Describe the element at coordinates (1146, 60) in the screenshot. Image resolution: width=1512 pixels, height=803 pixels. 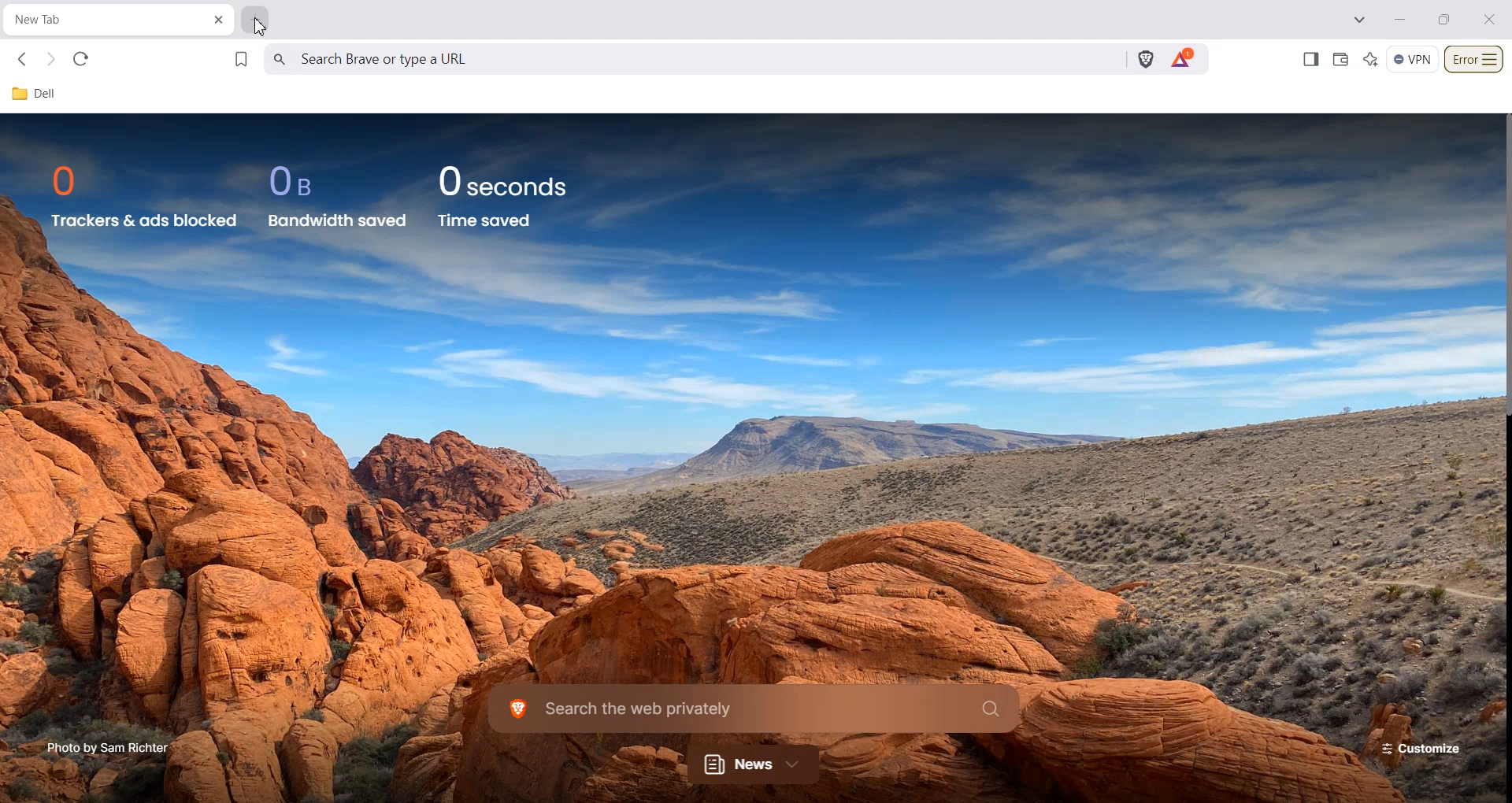
I see `Brave shields` at that location.